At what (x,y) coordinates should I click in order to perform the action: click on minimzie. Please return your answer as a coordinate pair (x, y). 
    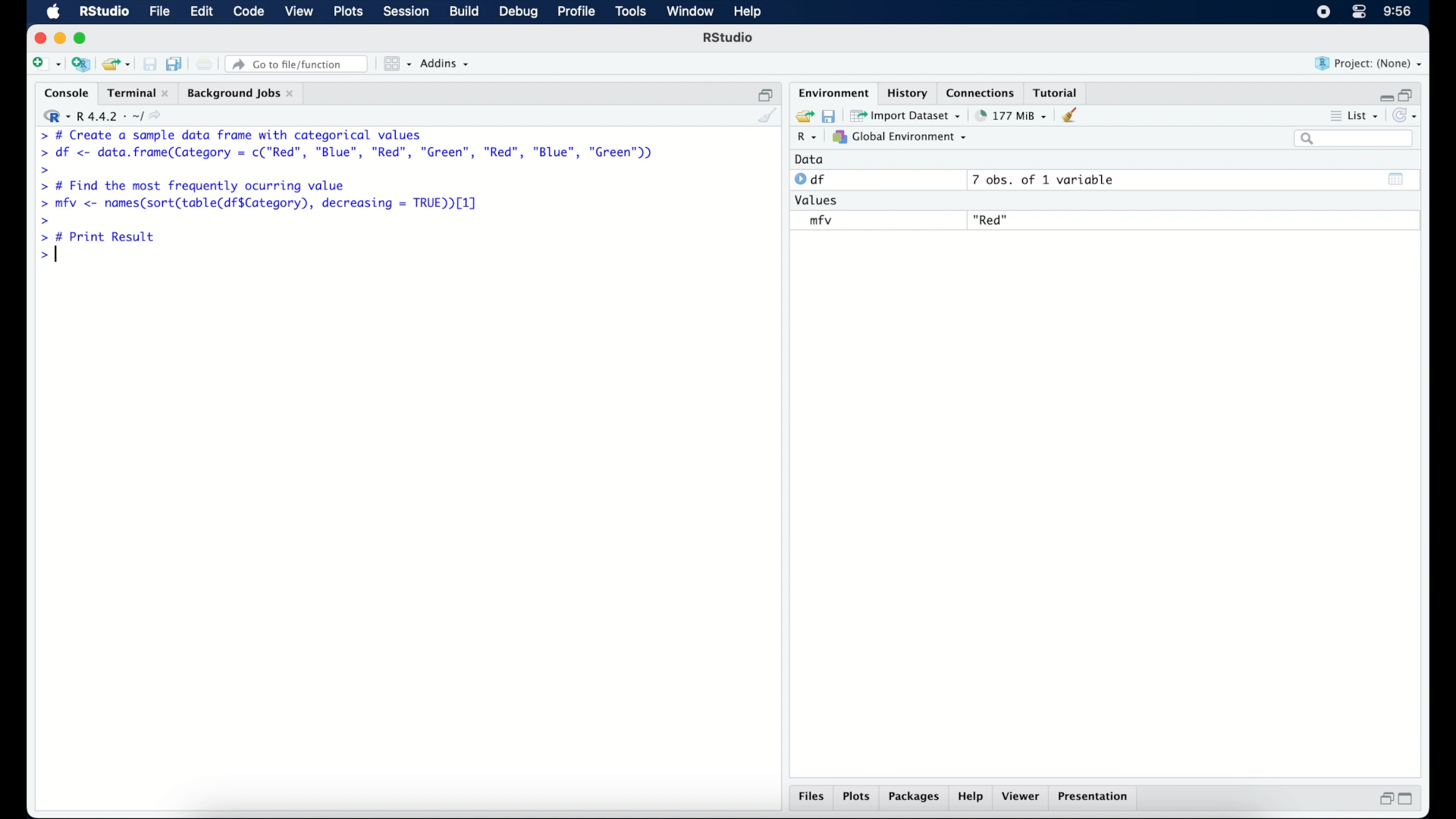
    Looking at the image, I should click on (59, 38).